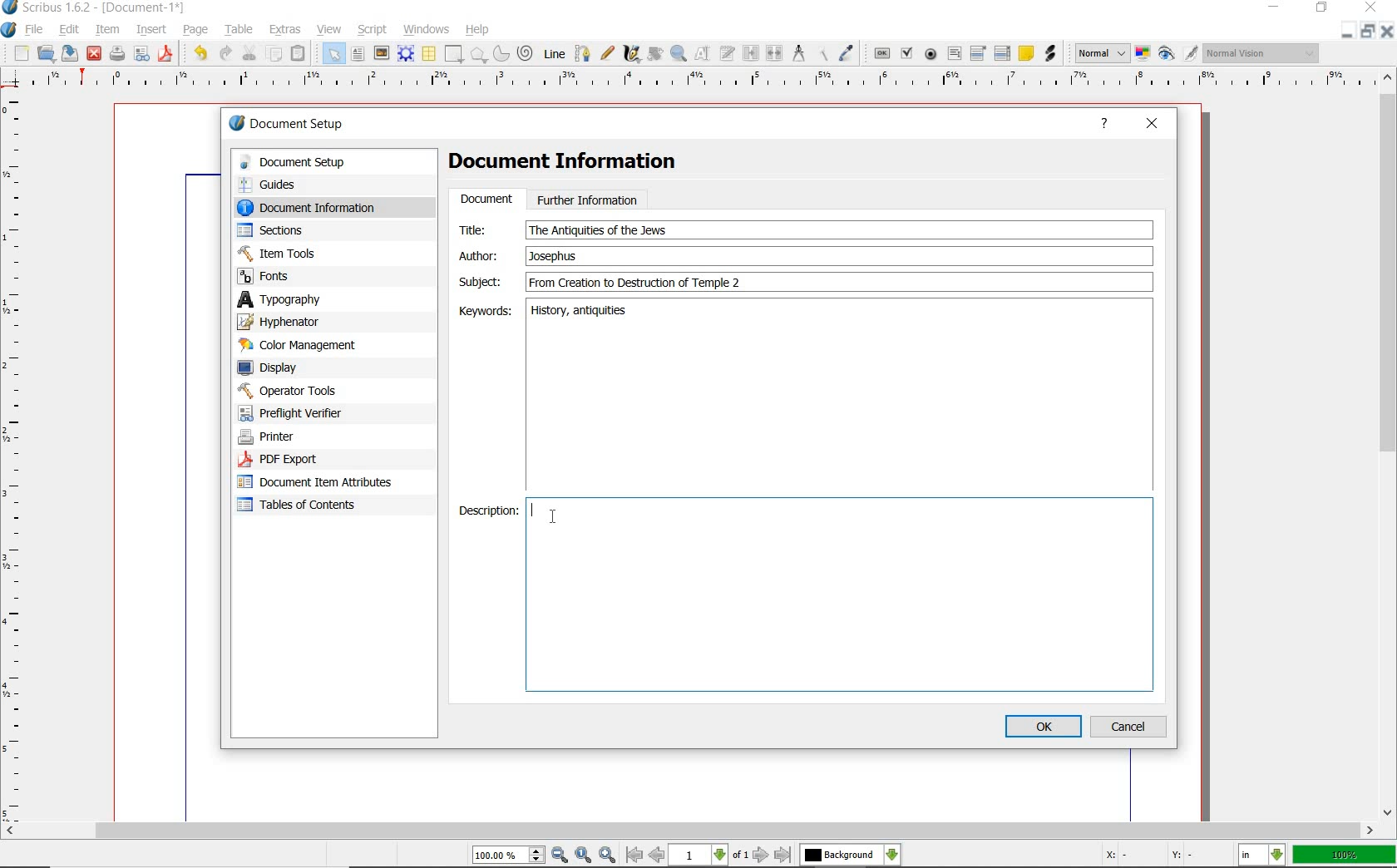  Describe the element at coordinates (576, 164) in the screenshot. I see `Document Information` at that location.